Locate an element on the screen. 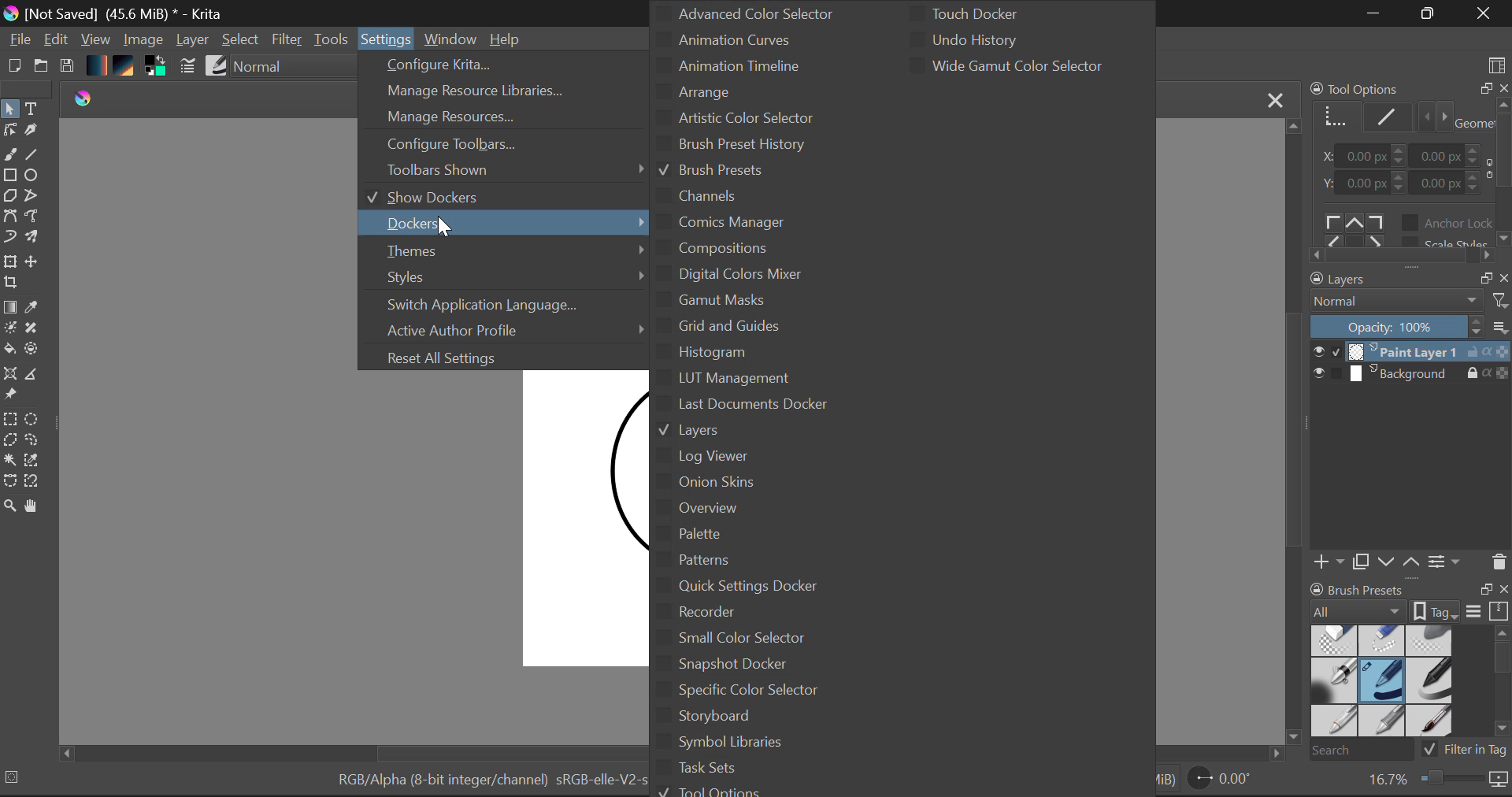 Image resolution: width=1512 pixels, height=797 pixels. Manage Resources is located at coordinates (497, 117).